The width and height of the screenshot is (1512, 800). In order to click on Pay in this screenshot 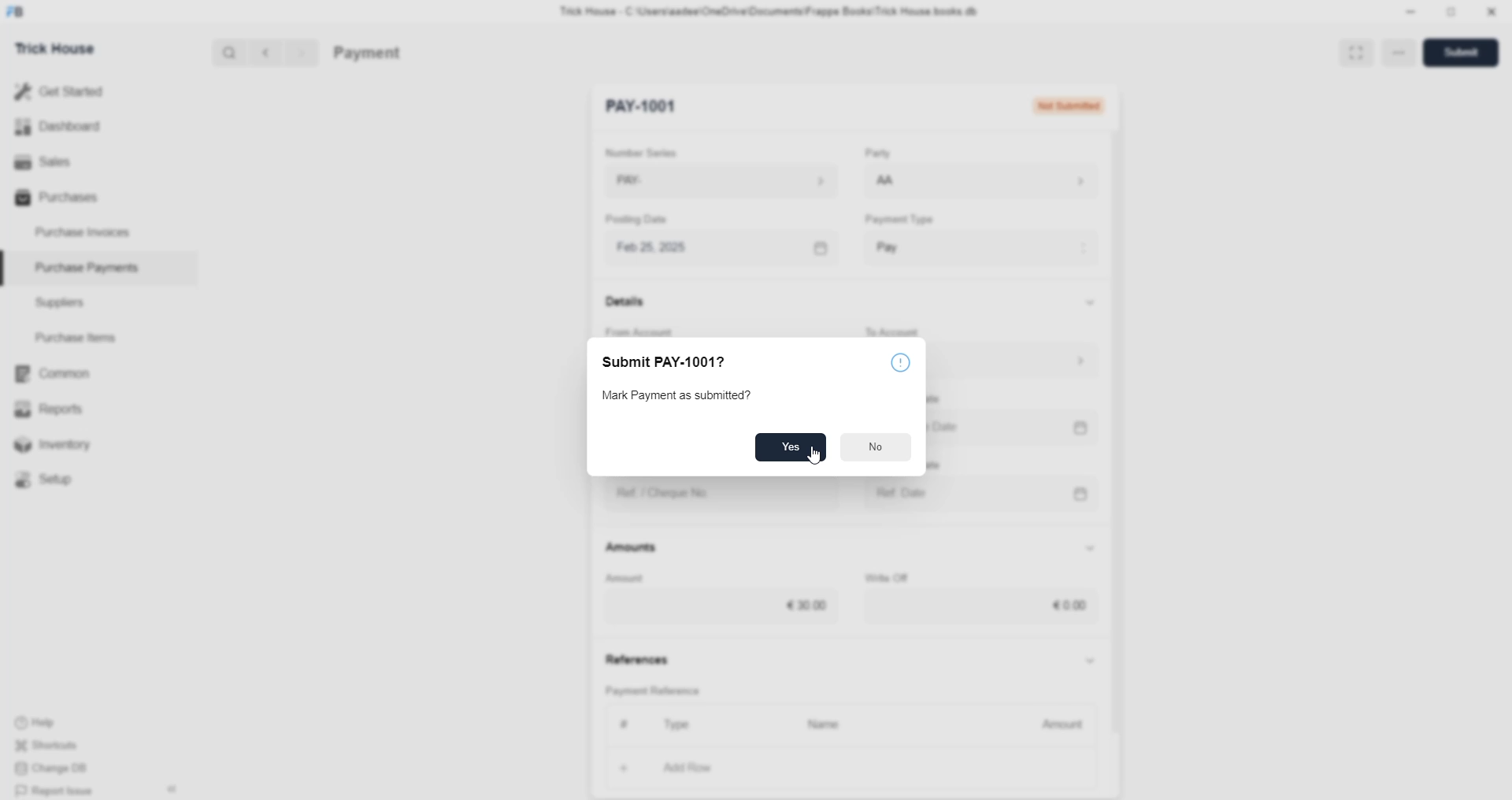, I will do `click(921, 243)`.